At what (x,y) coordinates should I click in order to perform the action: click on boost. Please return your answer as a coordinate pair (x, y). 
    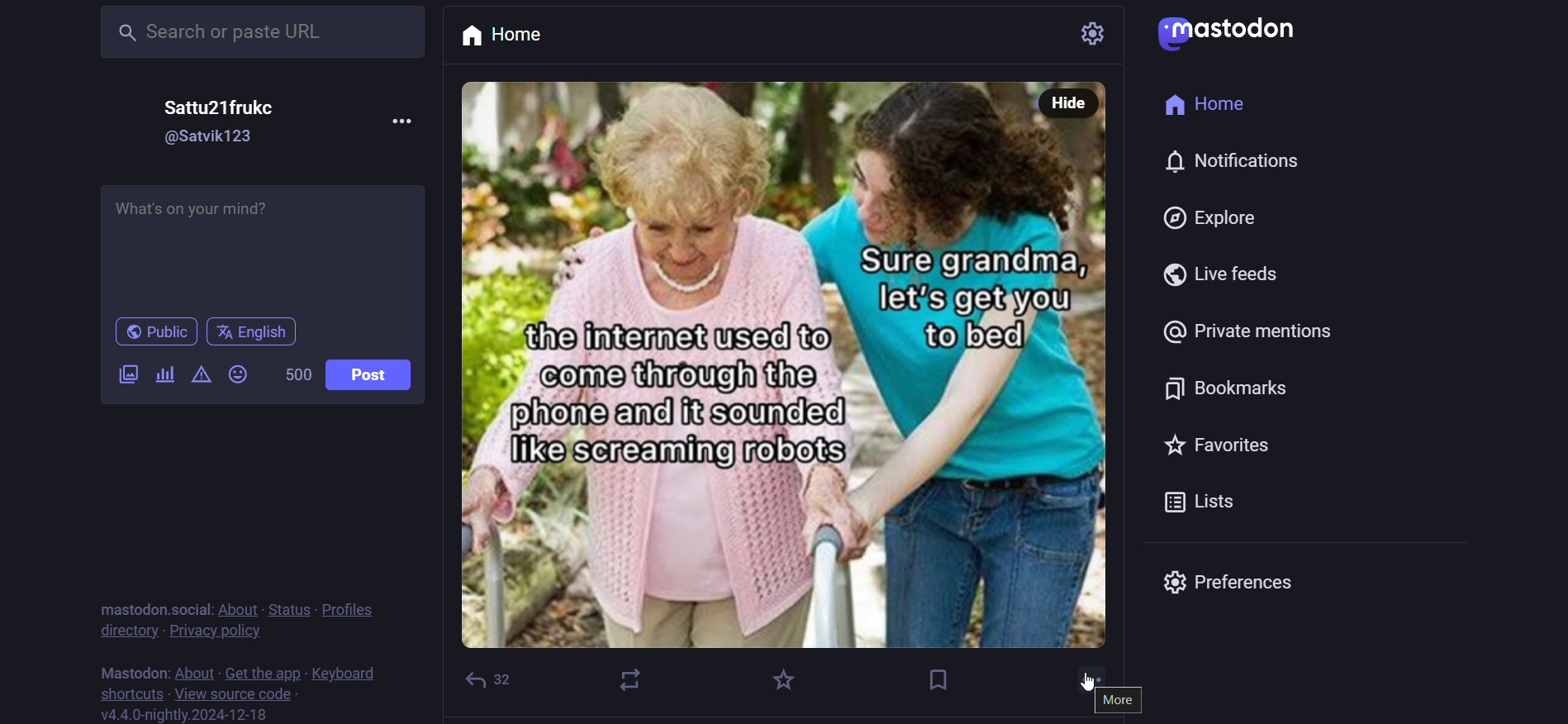
    Looking at the image, I should click on (633, 680).